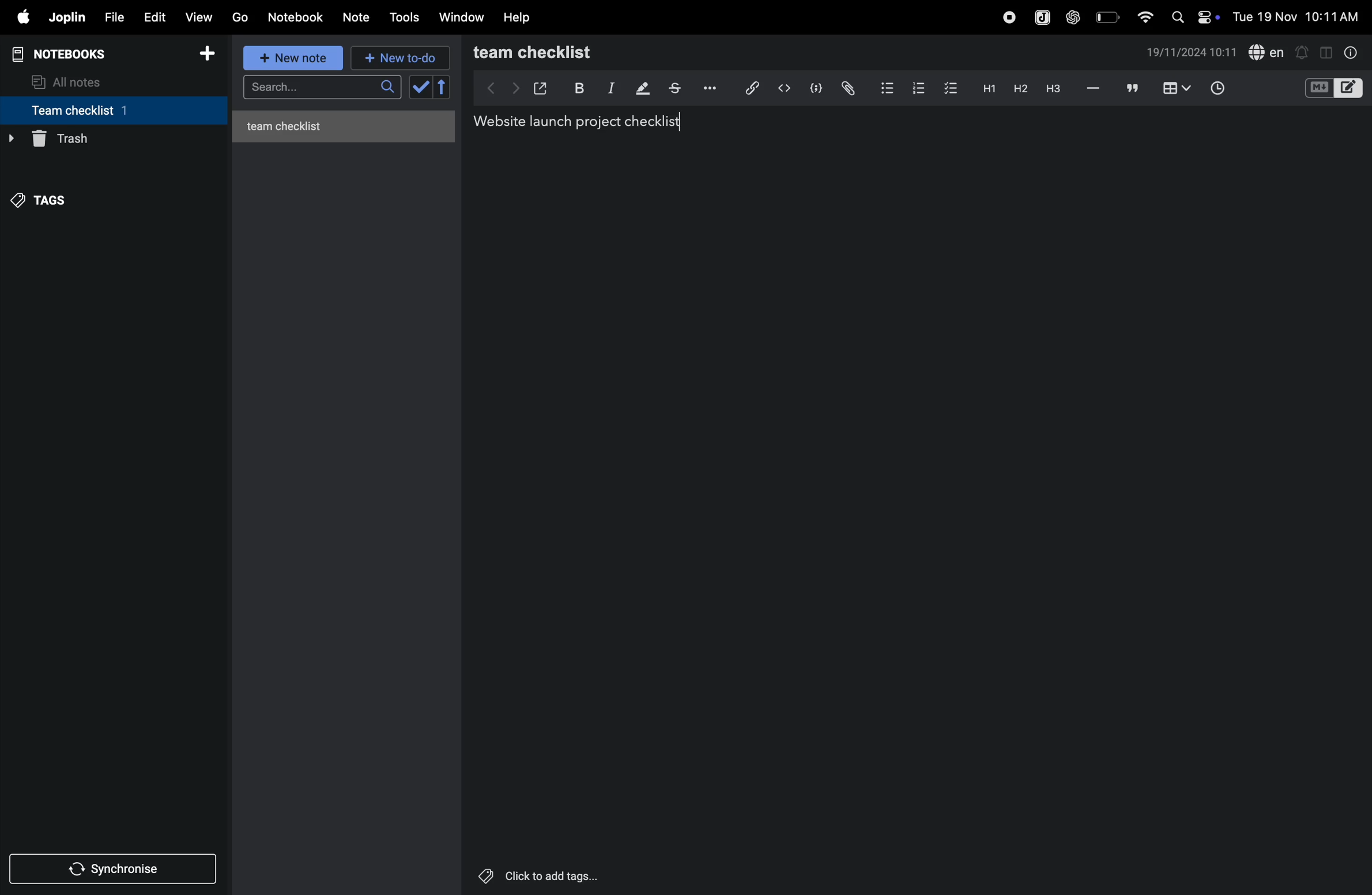  Describe the element at coordinates (1219, 87) in the screenshot. I see `time` at that location.